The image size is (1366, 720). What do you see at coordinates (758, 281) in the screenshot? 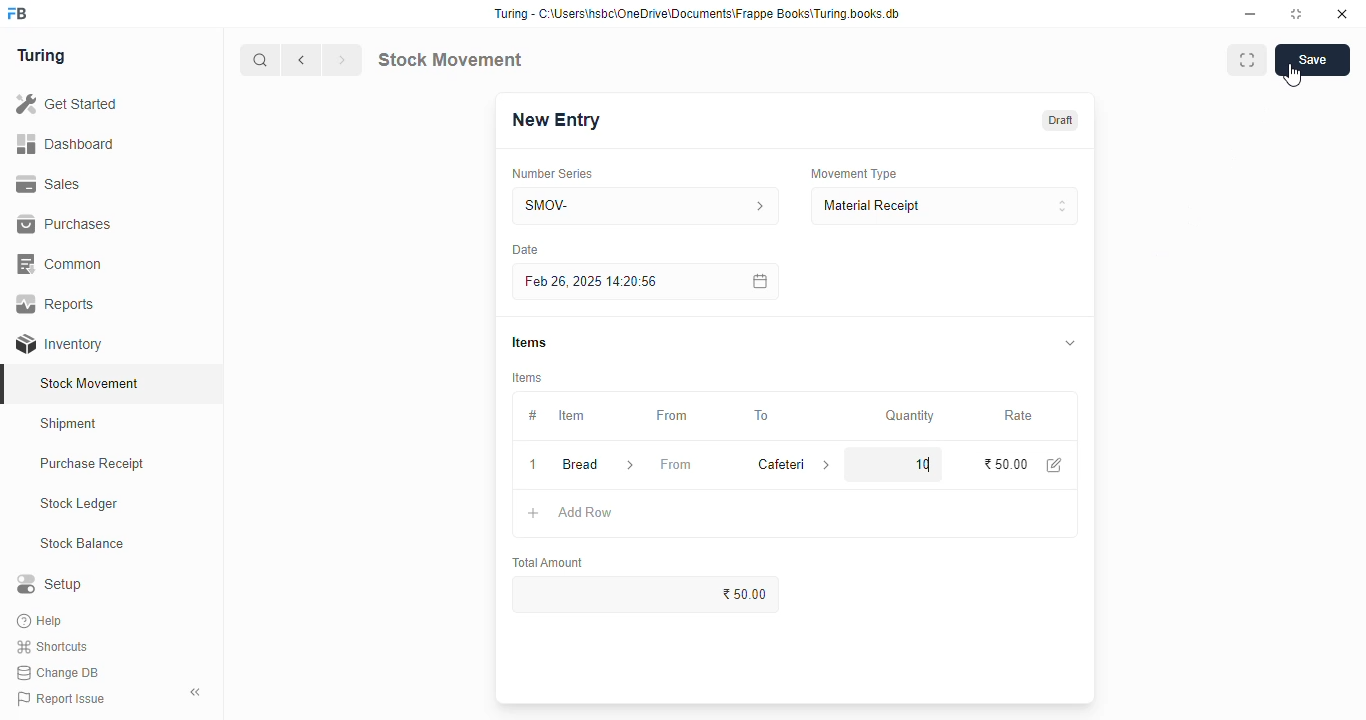
I see `calendar` at bounding box center [758, 281].